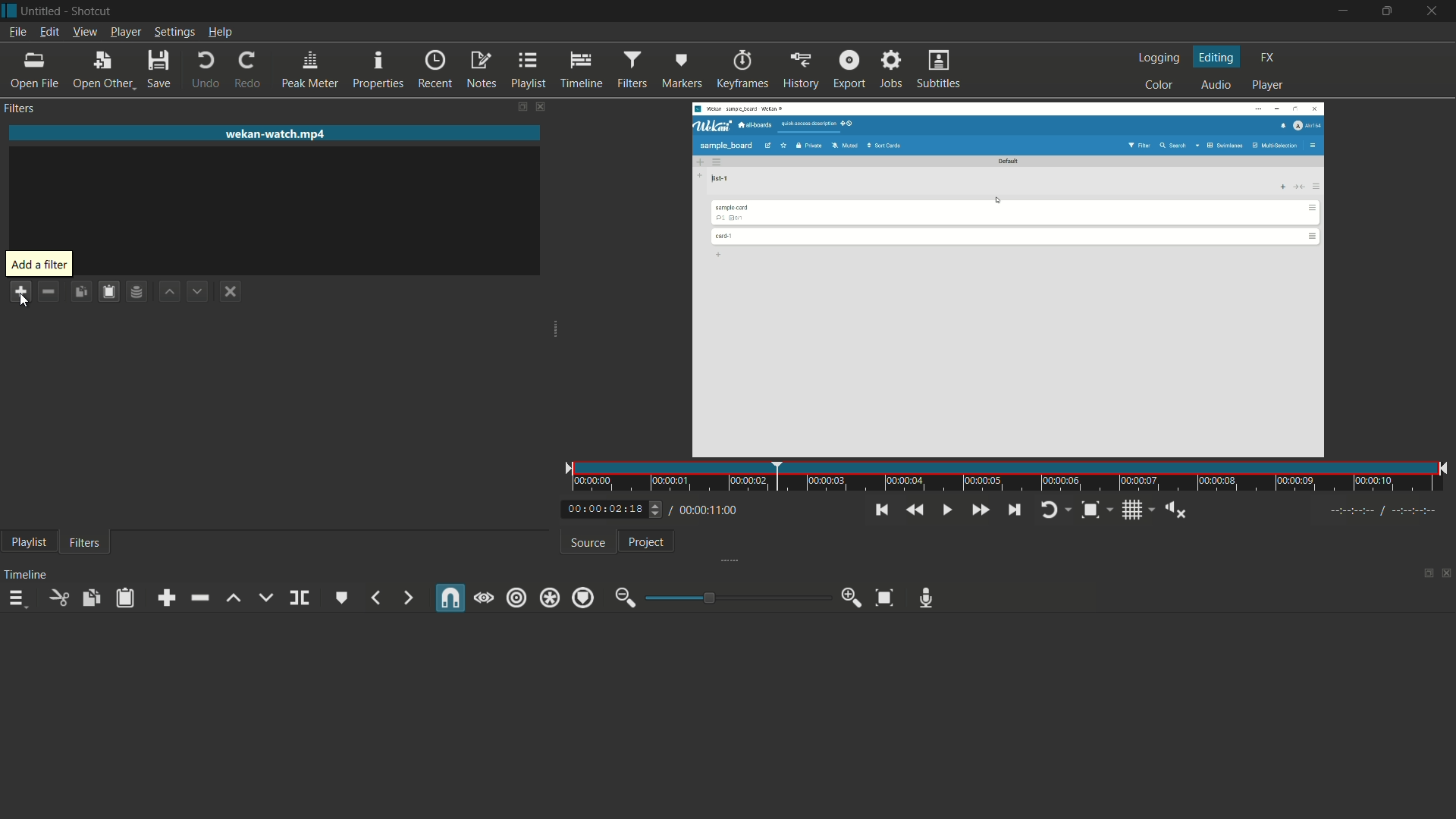 The width and height of the screenshot is (1456, 819). What do you see at coordinates (527, 71) in the screenshot?
I see `playlist` at bounding box center [527, 71].